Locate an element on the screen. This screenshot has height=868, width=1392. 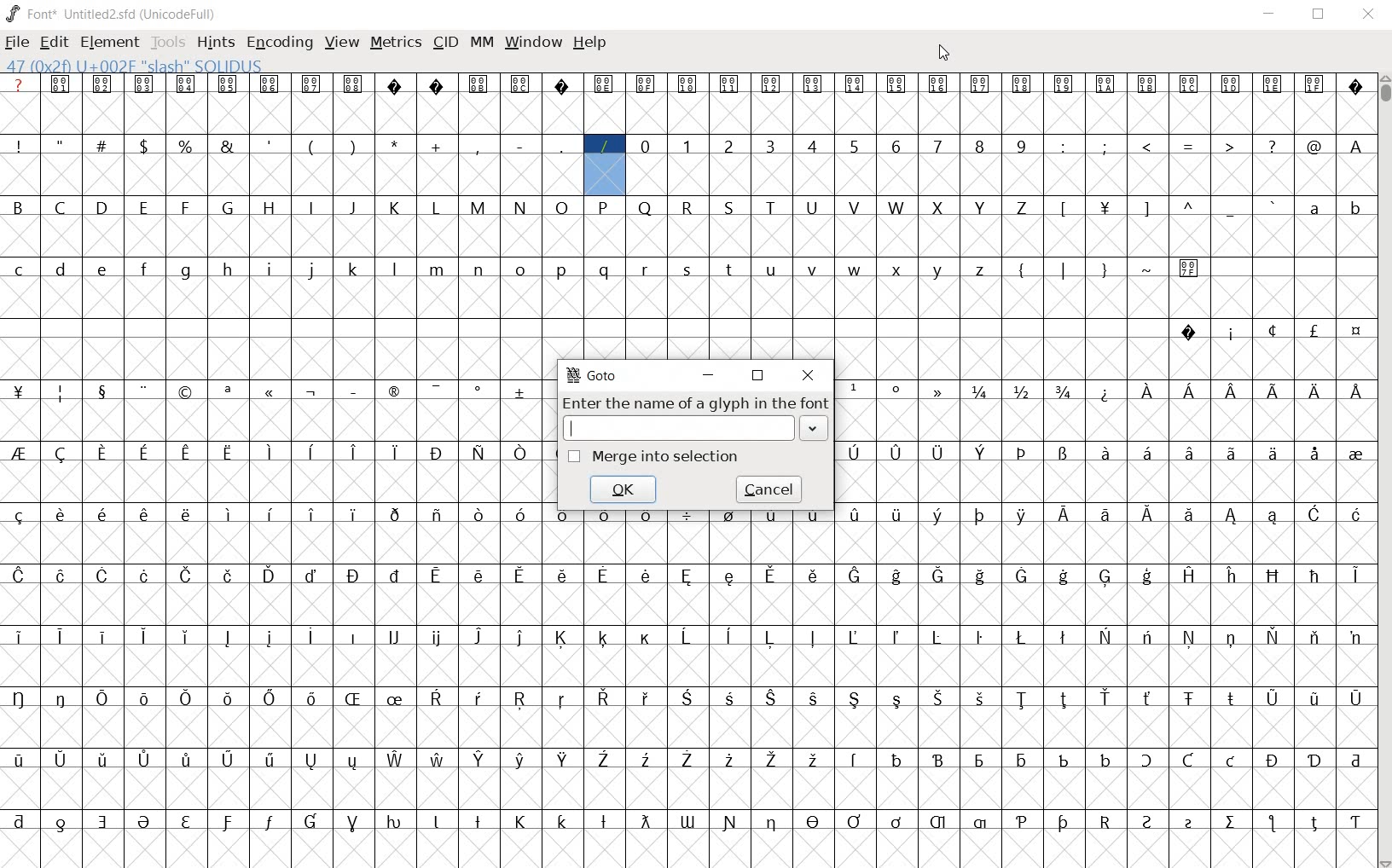
glyph is located at coordinates (143, 269).